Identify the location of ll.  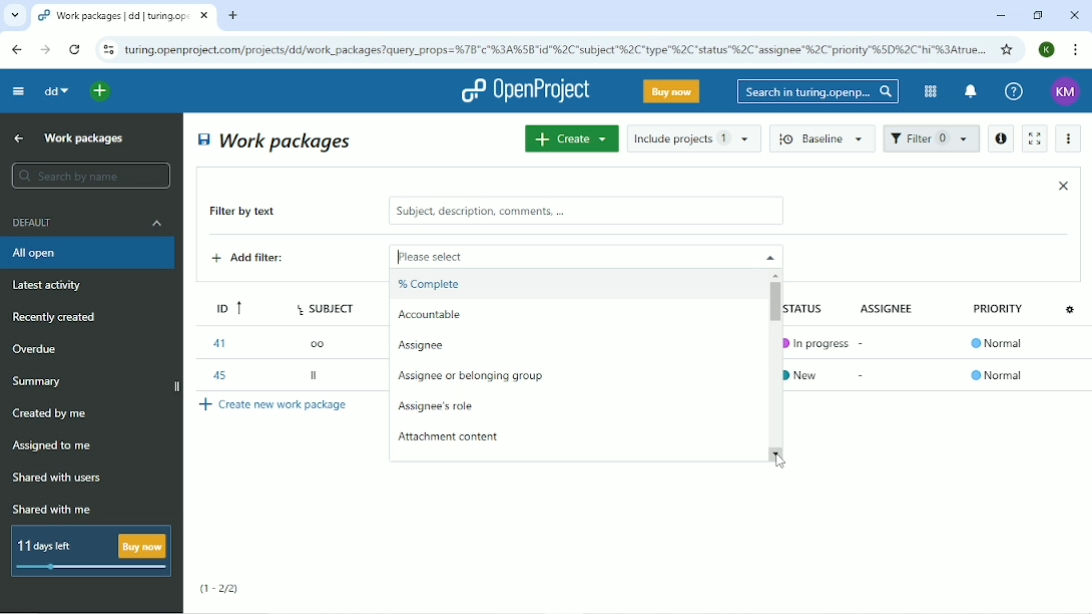
(316, 378).